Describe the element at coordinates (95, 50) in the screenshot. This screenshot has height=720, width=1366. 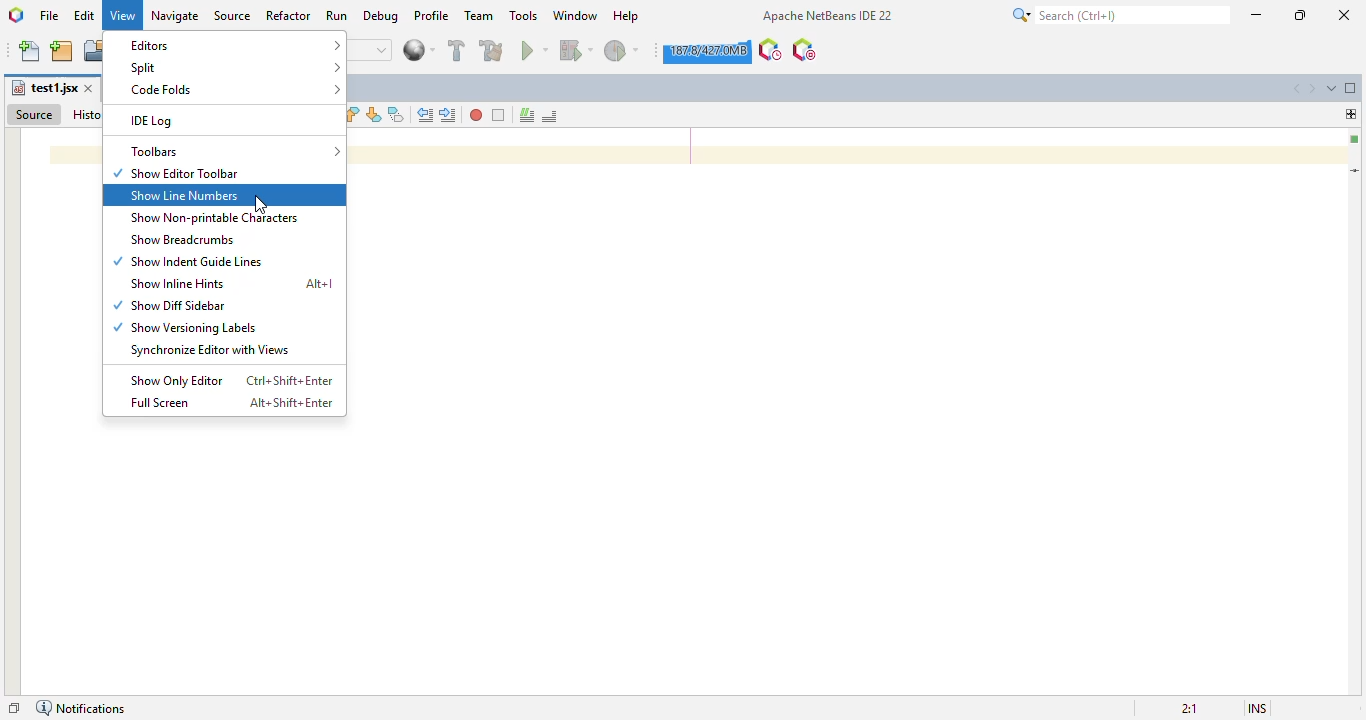
I see `open project` at that location.